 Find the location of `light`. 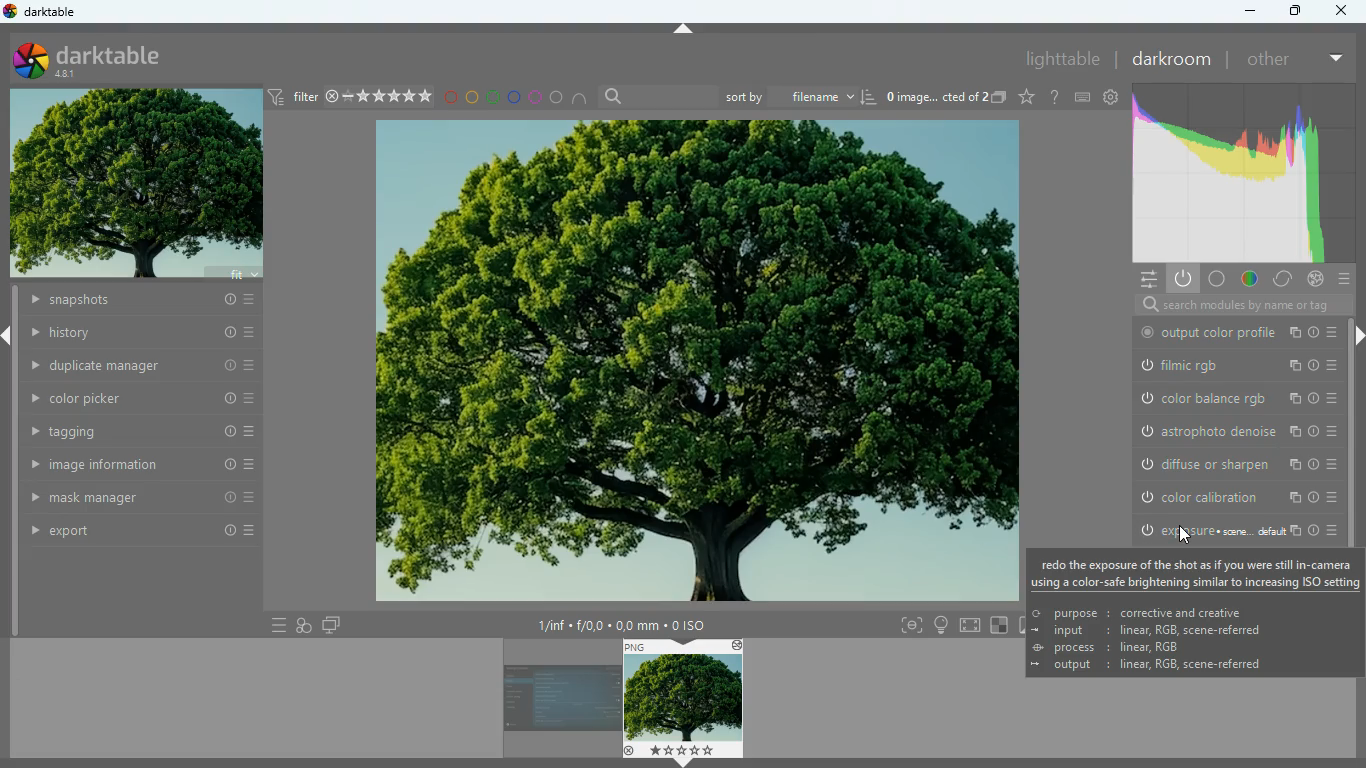

light is located at coordinates (939, 624).